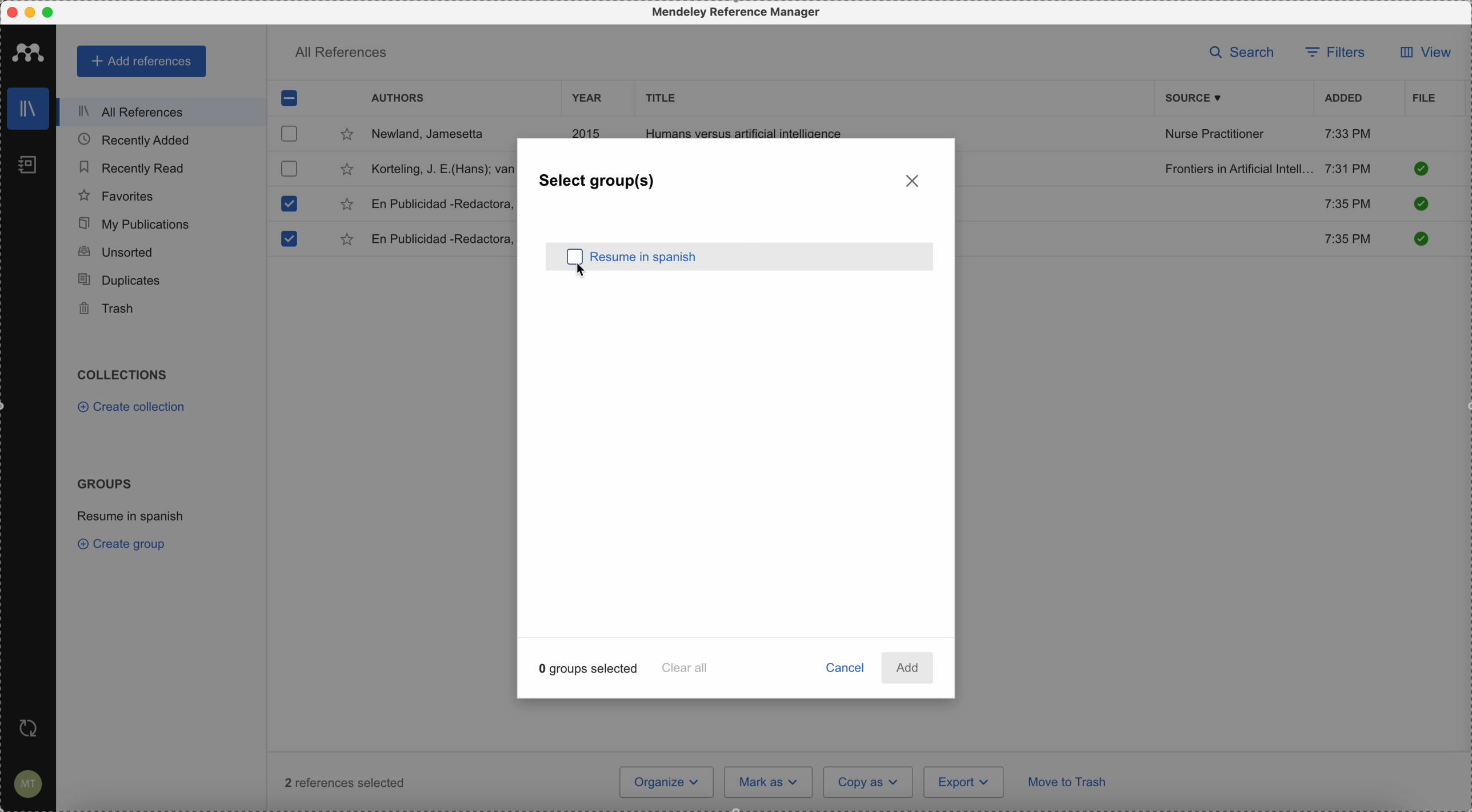 The image size is (1472, 812). Describe the element at coordinates (12, 13) in the screenshot. I see `close program` at that location.